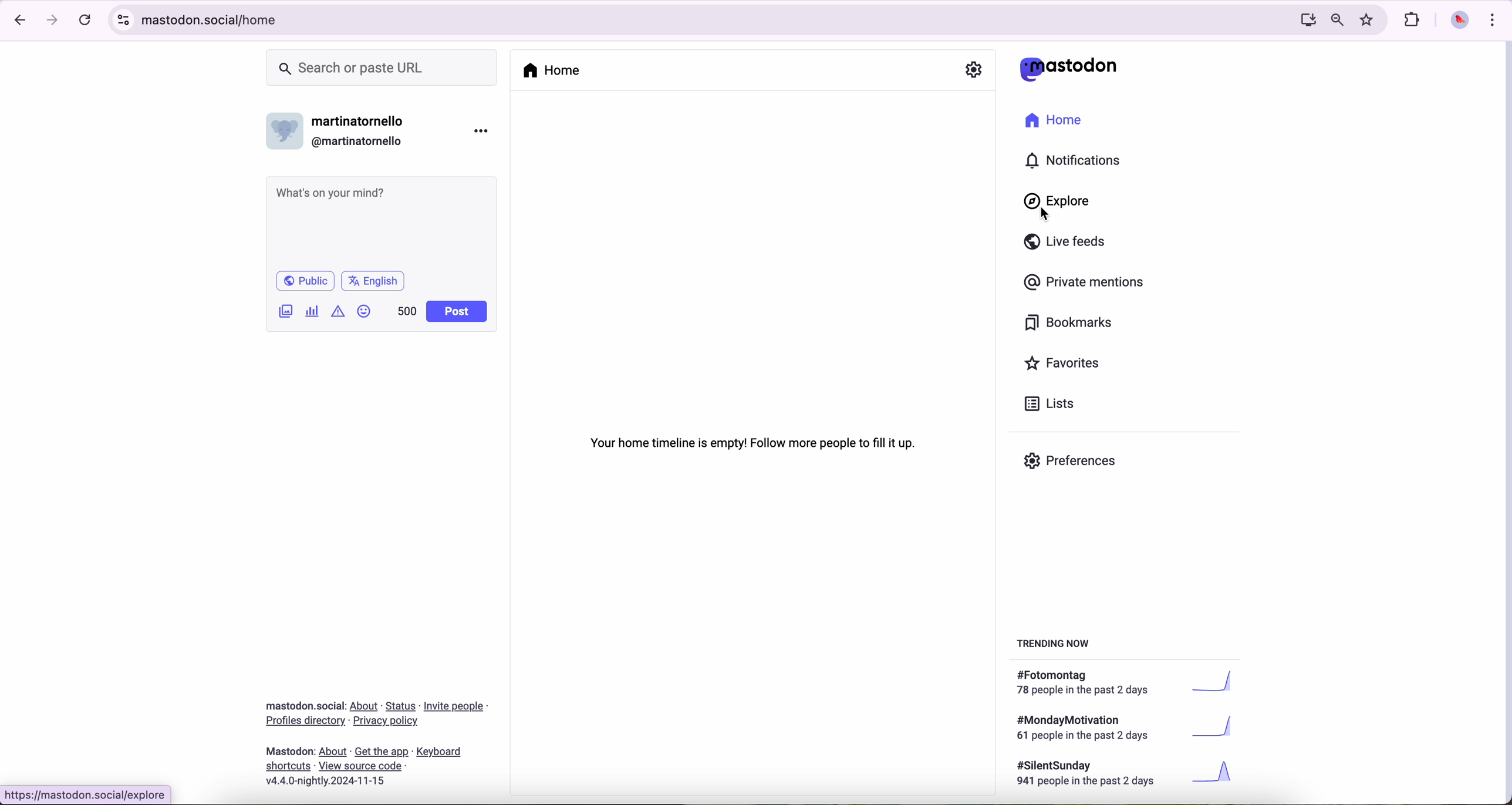  I want to click on favorites, so click(1067, 365).